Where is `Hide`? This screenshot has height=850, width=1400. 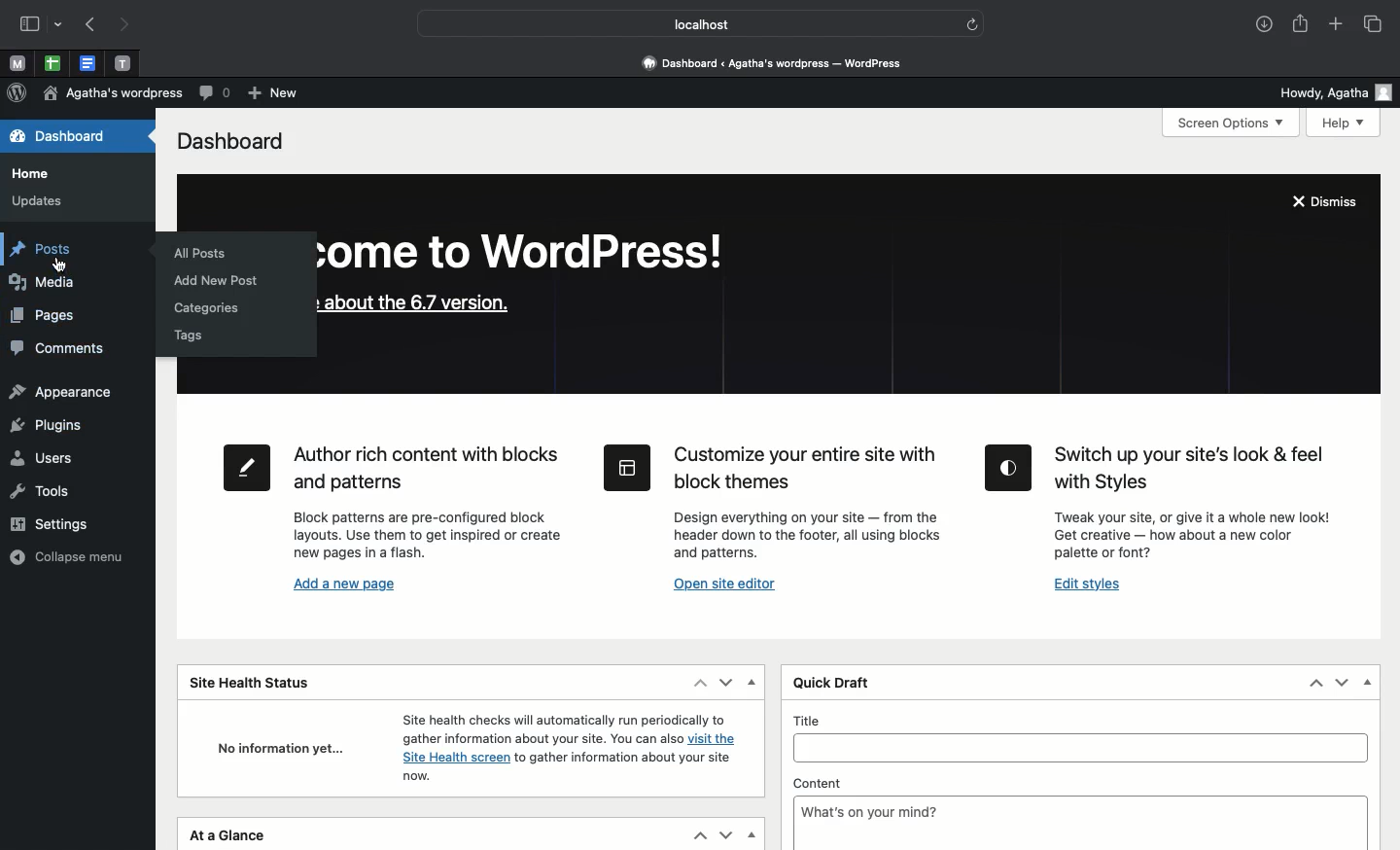 Hide is located at coordinates (1368, 682).